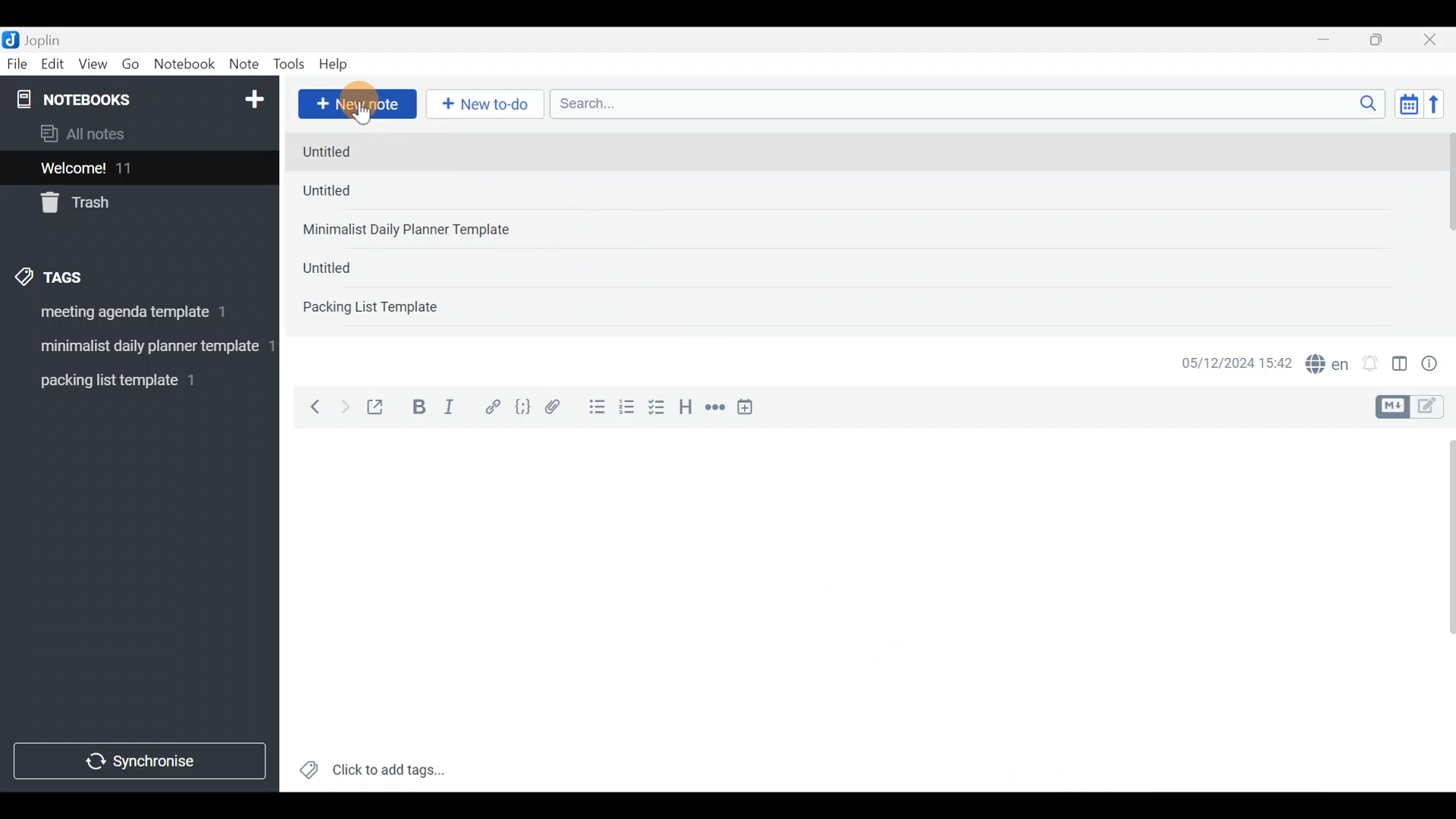  What do you see at coordinates (135, 316) in the screenshot?
I see `Tag 1` at bounding box center [135, 316].